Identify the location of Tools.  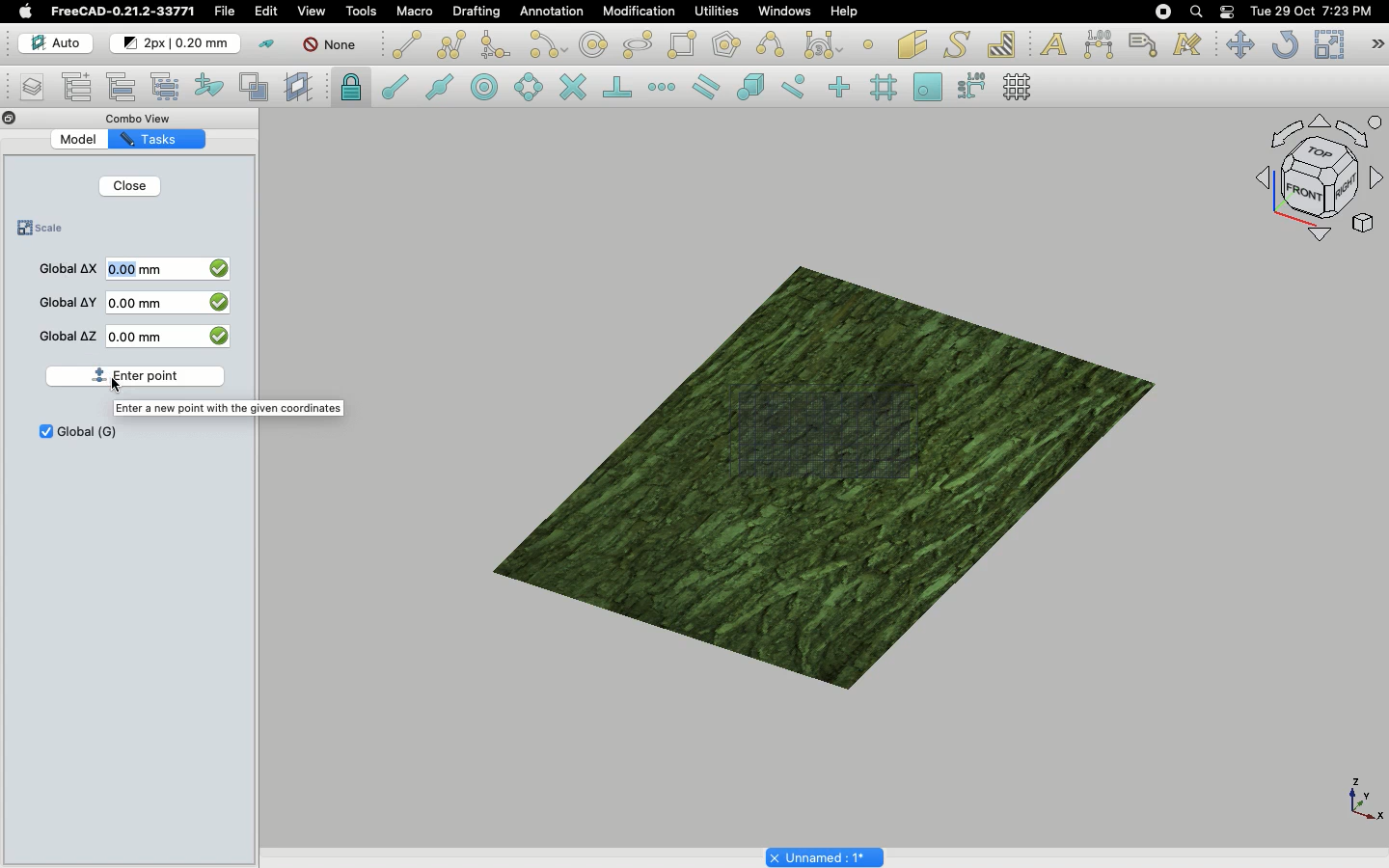
(364, 12).